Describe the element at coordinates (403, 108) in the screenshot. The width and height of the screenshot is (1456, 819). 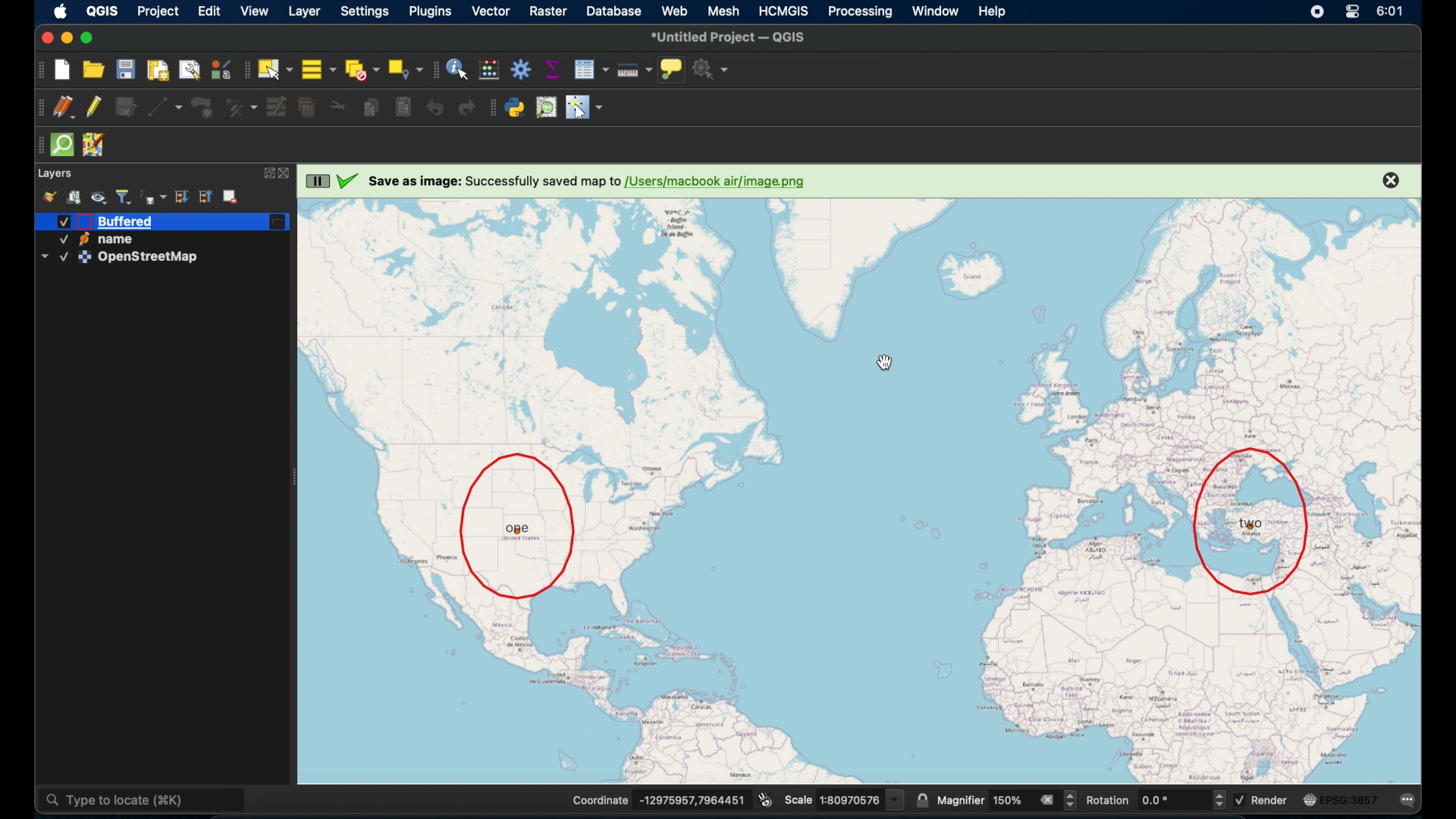
I see `paste features` at that location.